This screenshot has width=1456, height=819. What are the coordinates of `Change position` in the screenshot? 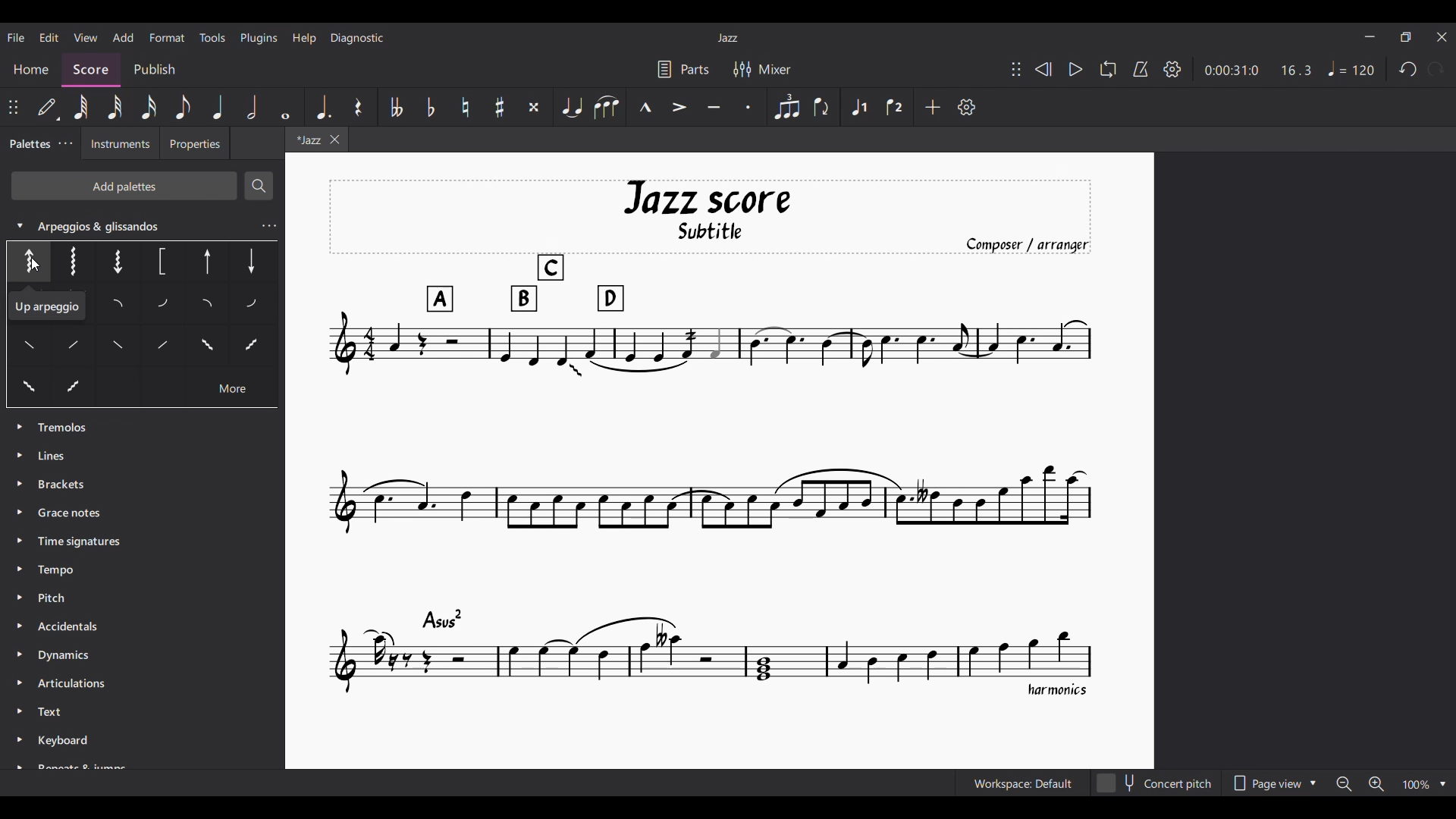 It's located at (1016, 69).